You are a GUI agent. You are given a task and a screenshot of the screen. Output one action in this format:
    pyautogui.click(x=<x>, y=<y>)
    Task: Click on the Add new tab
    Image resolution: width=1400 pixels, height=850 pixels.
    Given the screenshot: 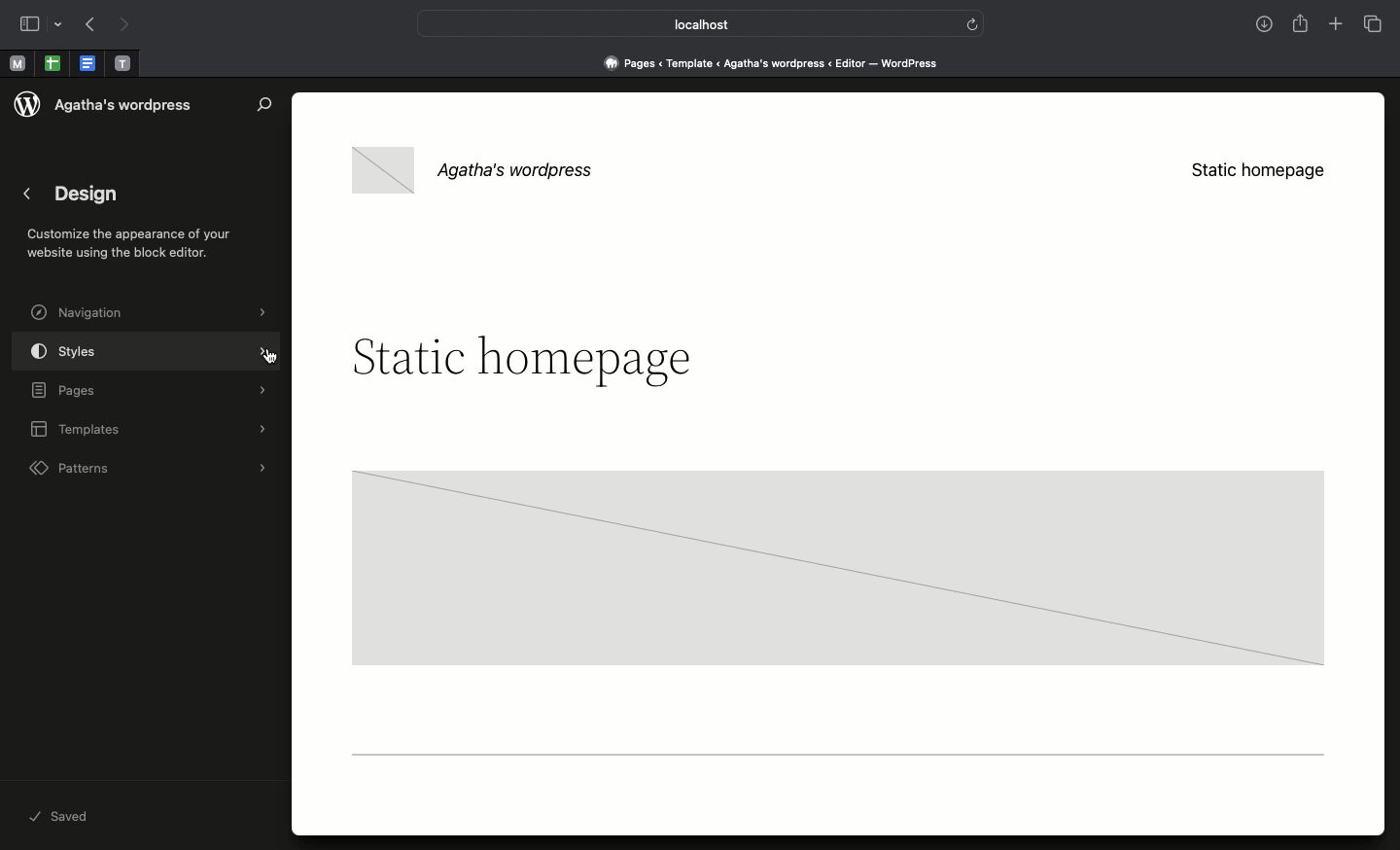 What is the action you would take?
    pyautogui.click(x=1338, y=26)
    